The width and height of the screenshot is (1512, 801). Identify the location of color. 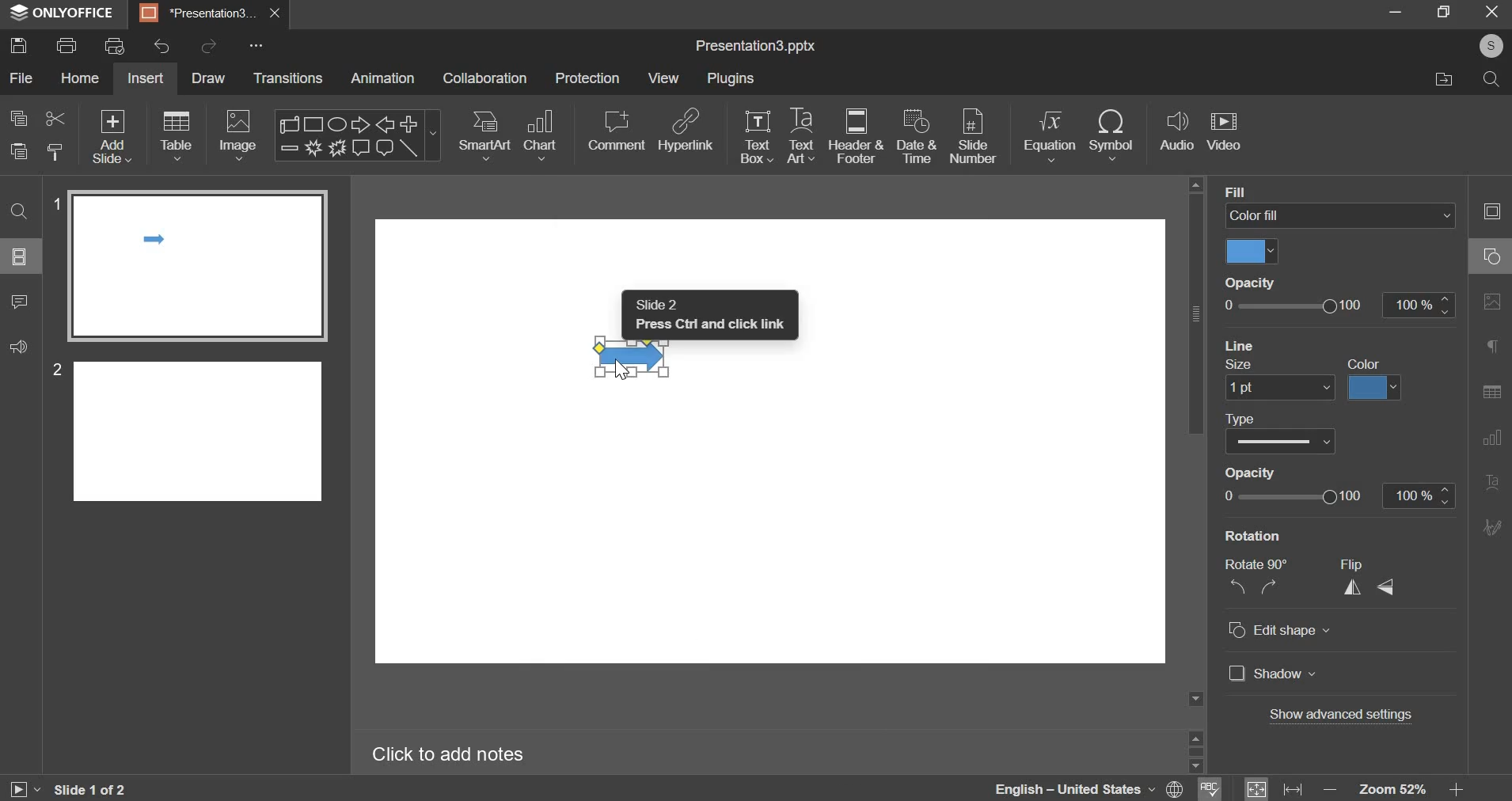
(1364, 364).